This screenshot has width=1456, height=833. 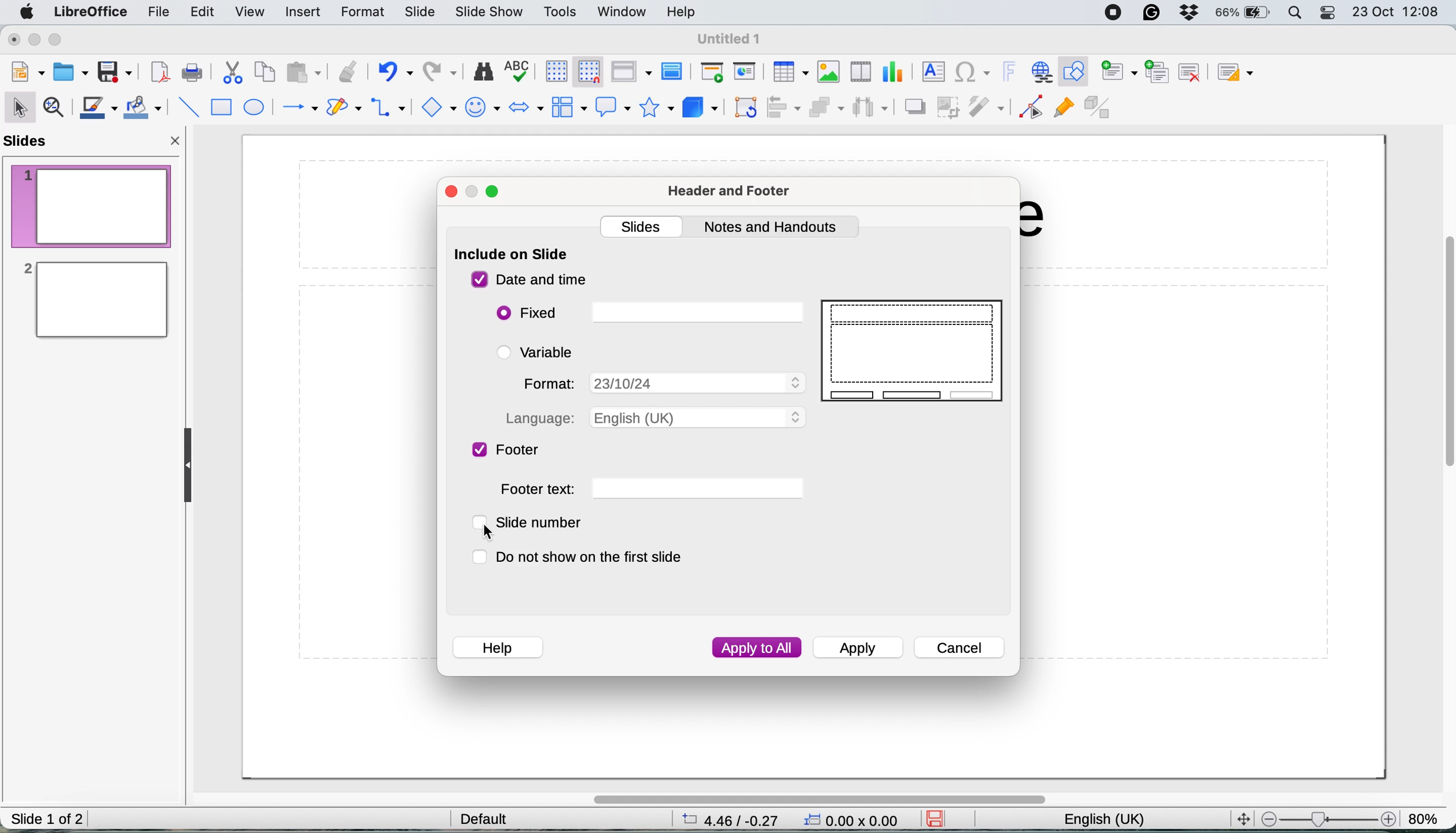 I want to click on slide, so click(x=916, y=351).